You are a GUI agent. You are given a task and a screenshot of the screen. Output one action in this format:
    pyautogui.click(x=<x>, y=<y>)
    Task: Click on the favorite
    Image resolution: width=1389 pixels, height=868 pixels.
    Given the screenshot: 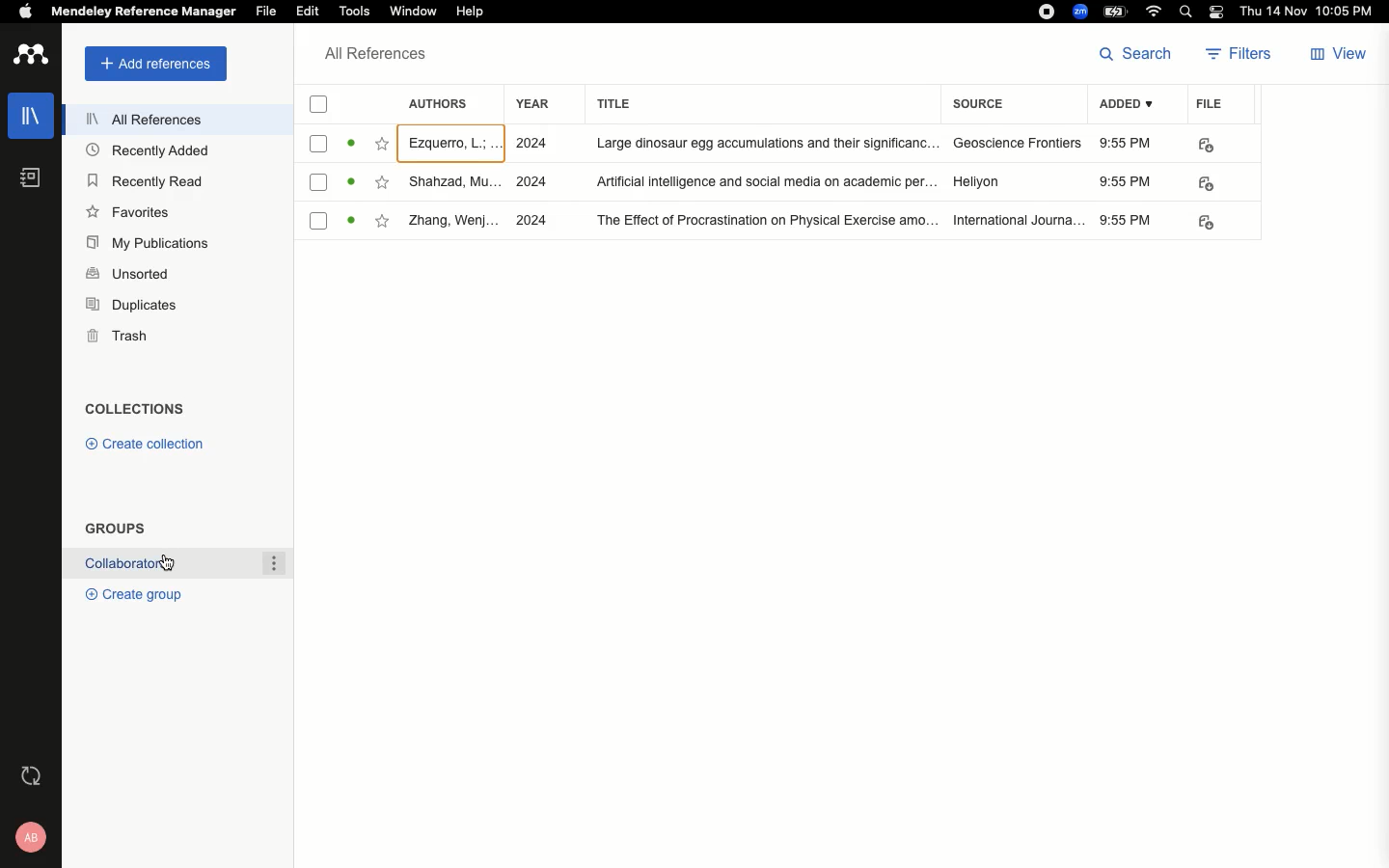 What is the action you would take?
    pyautogui.click(x=385, y=181)
    